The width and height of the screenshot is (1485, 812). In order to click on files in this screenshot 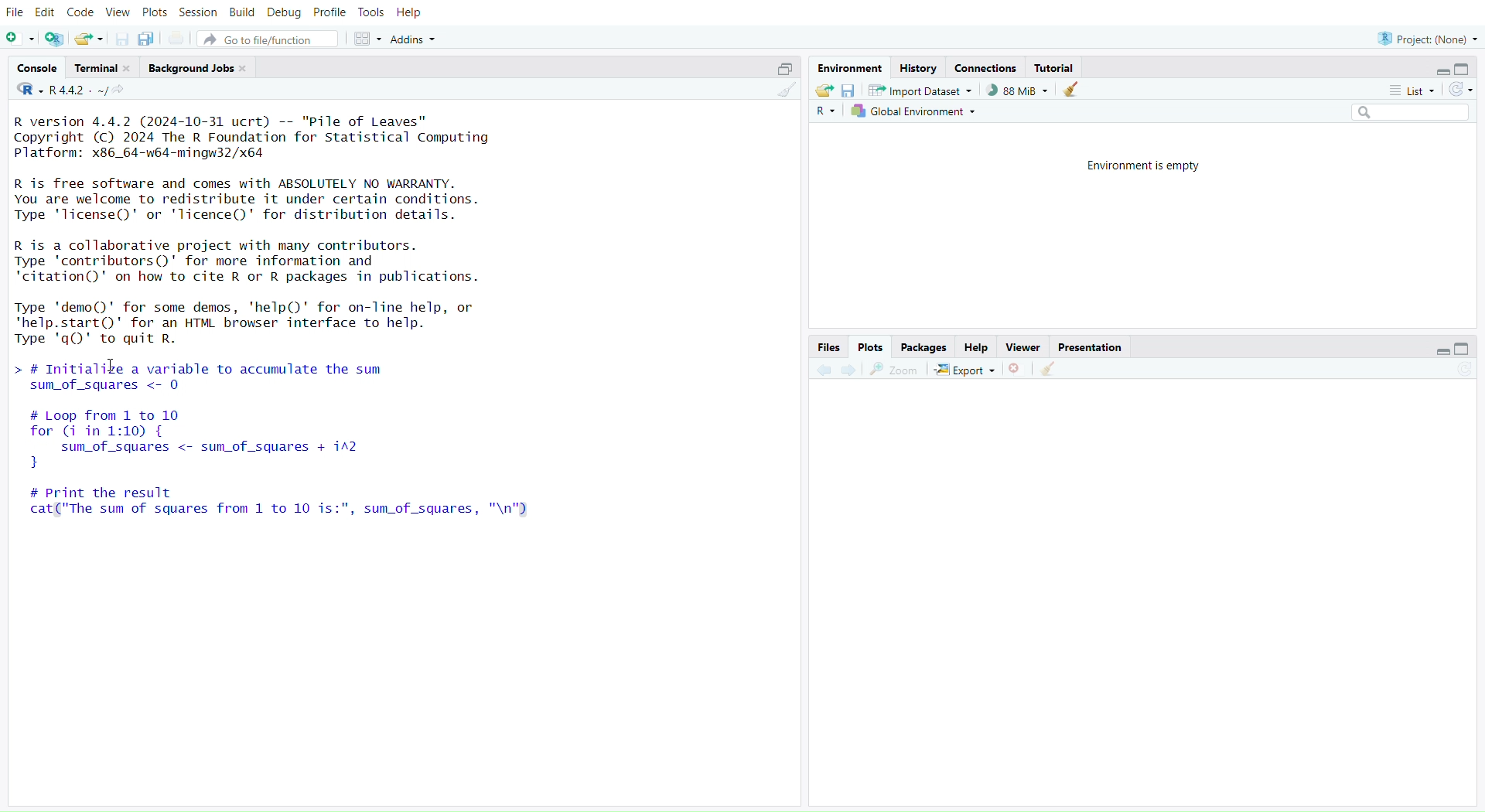, I will do `click(829, 346)`.